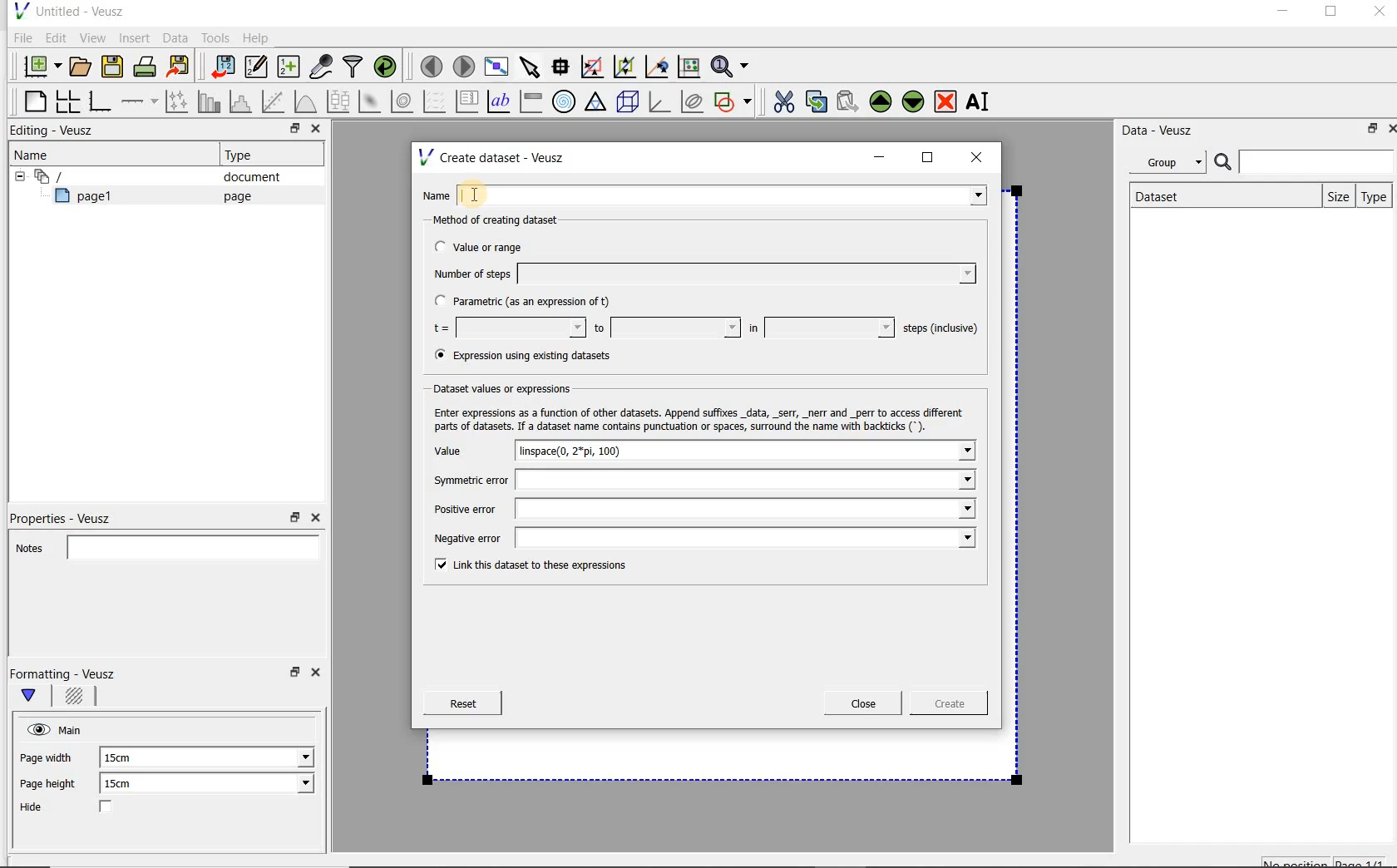 The height and width of the screenshot is (868, 1397). What do you see at coordinates (506, 328) in the screenshot?
I see `t= ` at bounding box center [506, 328].